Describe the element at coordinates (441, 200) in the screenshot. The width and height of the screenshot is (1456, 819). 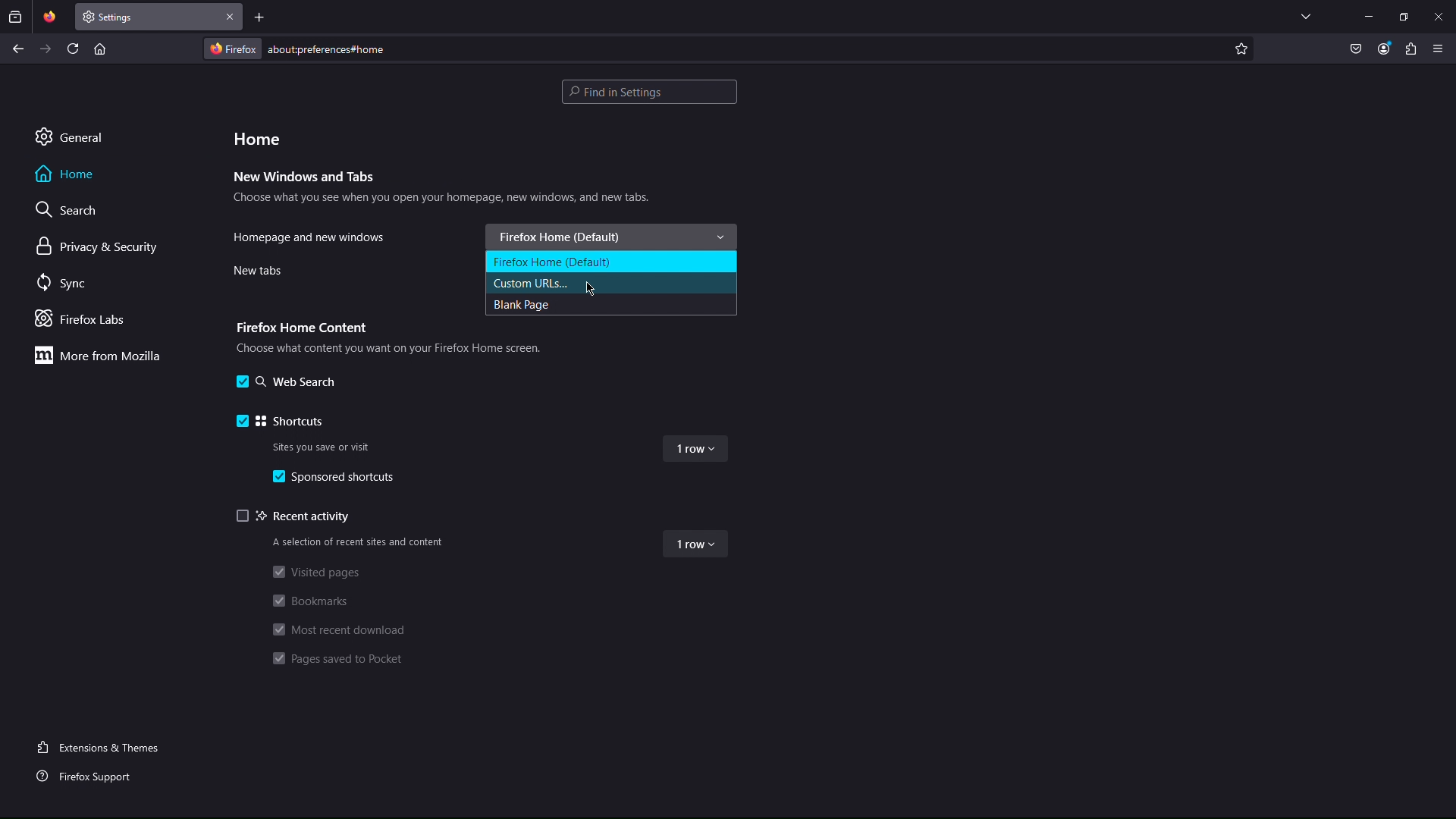
I see `Choose what you see when you open your homepage` at that location.